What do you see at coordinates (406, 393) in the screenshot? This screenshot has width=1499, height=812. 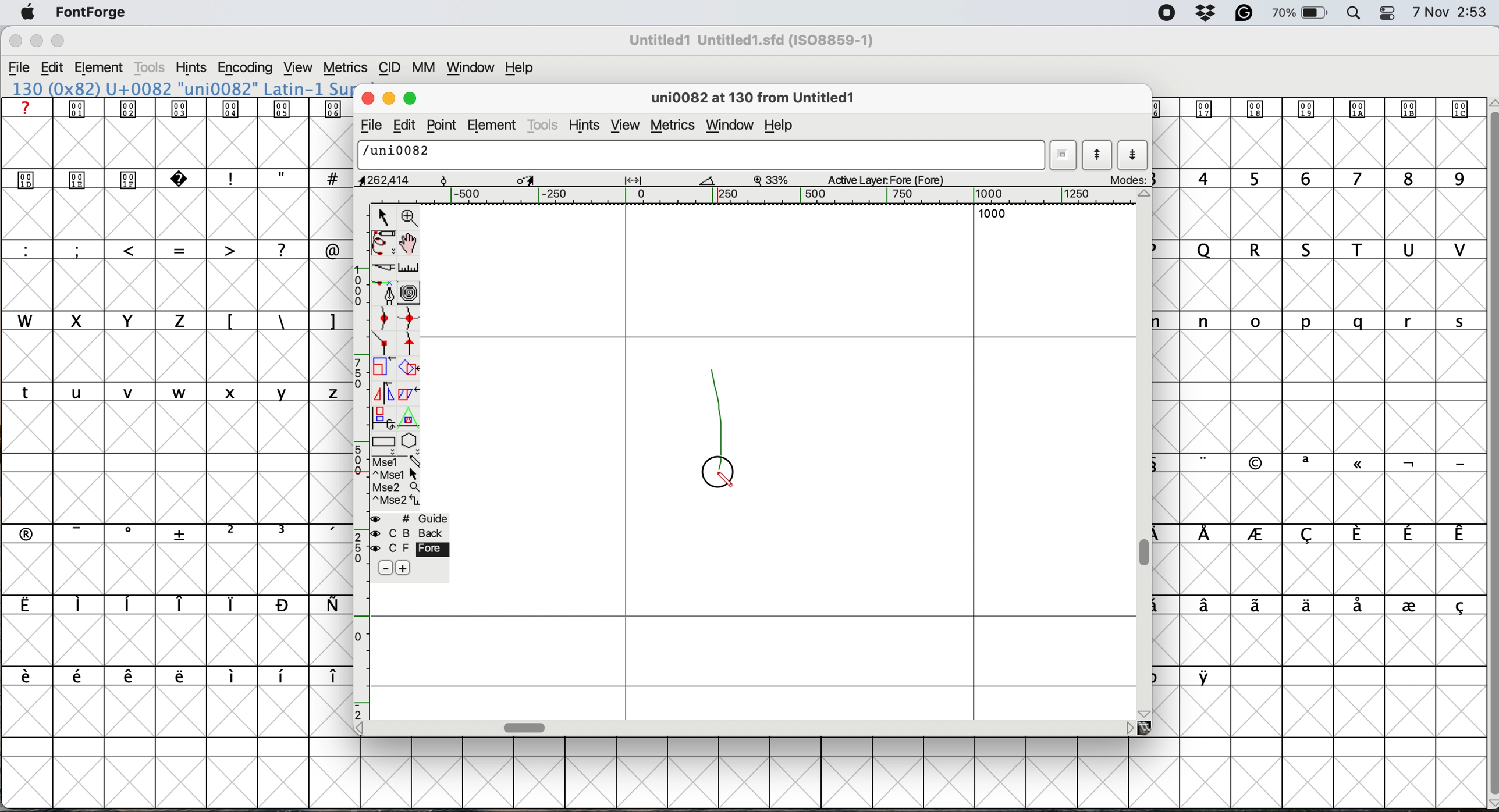 I see `skew selection` at bounding box center [406, 393].